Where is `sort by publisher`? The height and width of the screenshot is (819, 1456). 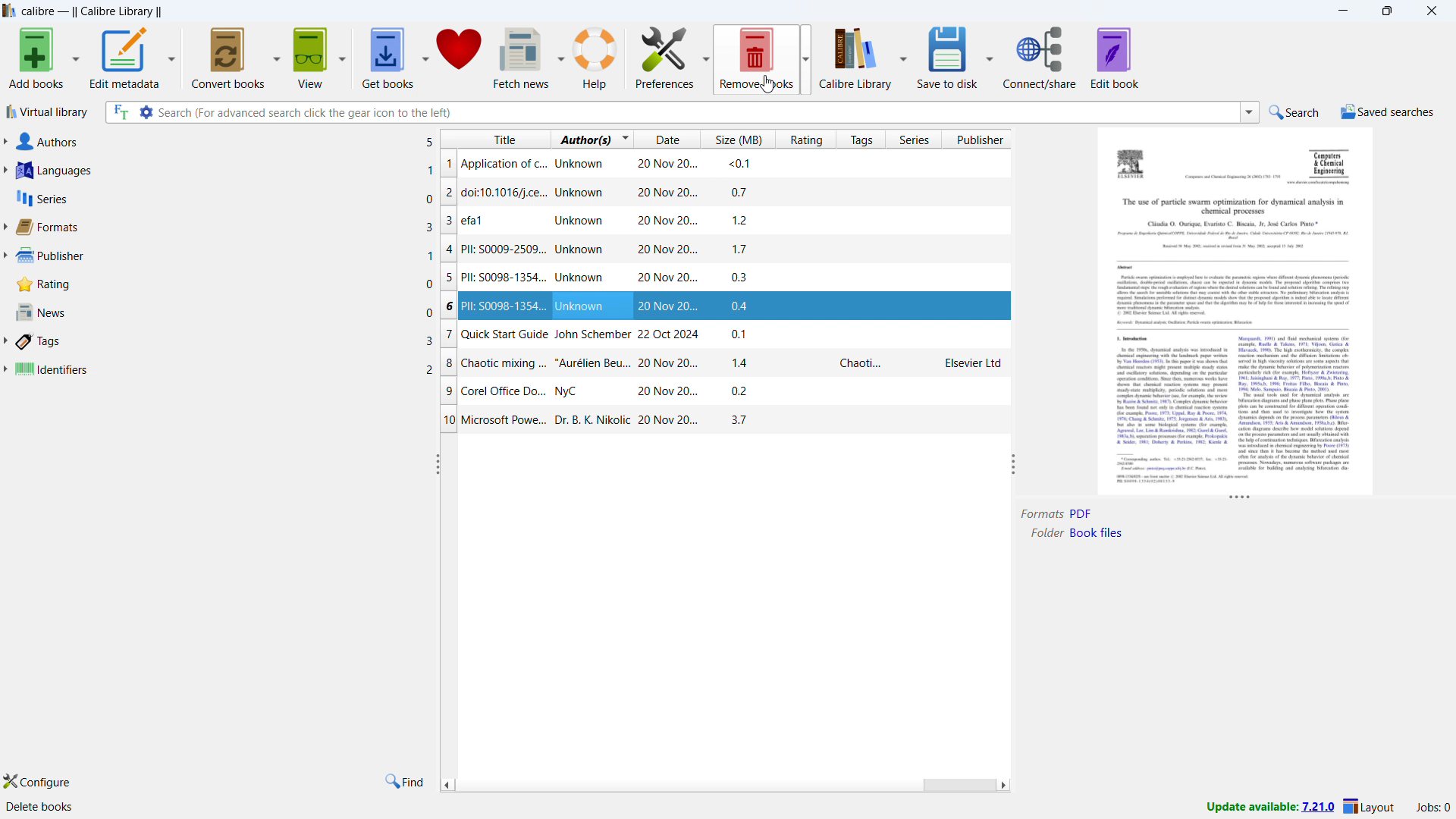 sort by publisher is located at coordinates (977, 140).